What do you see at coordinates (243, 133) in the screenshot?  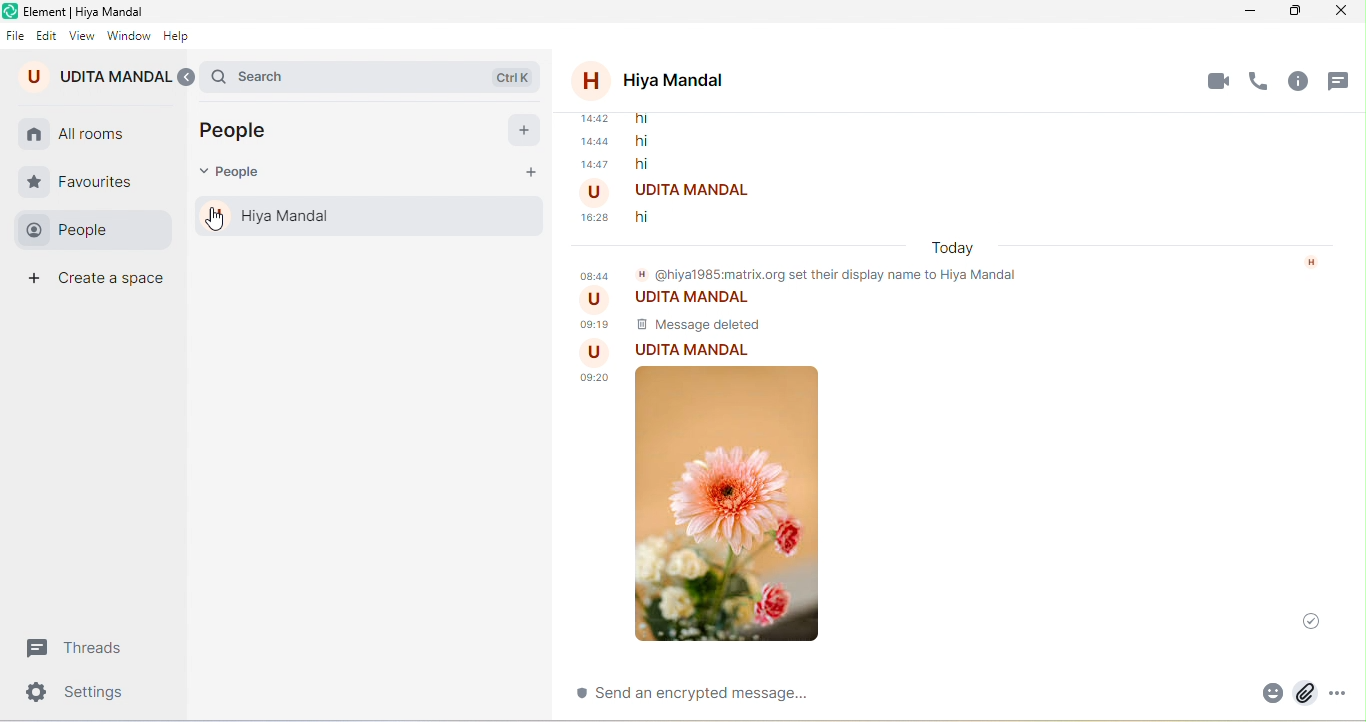 I see `people` at bounding box center [243, 133].